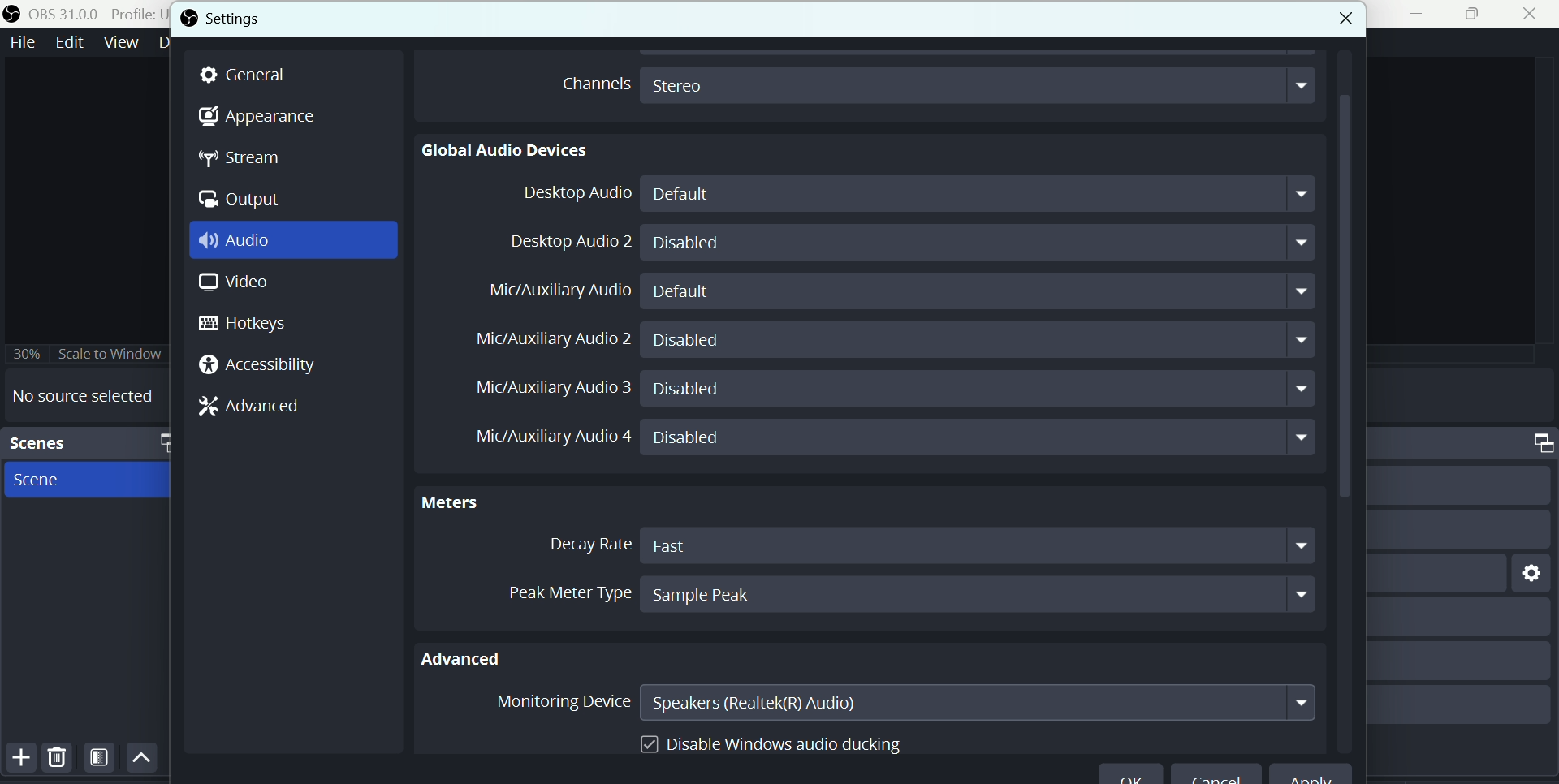 This screenshot has width=1559, height=784. Describe the element at coordinates (980, 390) in the screenshot. I see `Disabled` at that location.